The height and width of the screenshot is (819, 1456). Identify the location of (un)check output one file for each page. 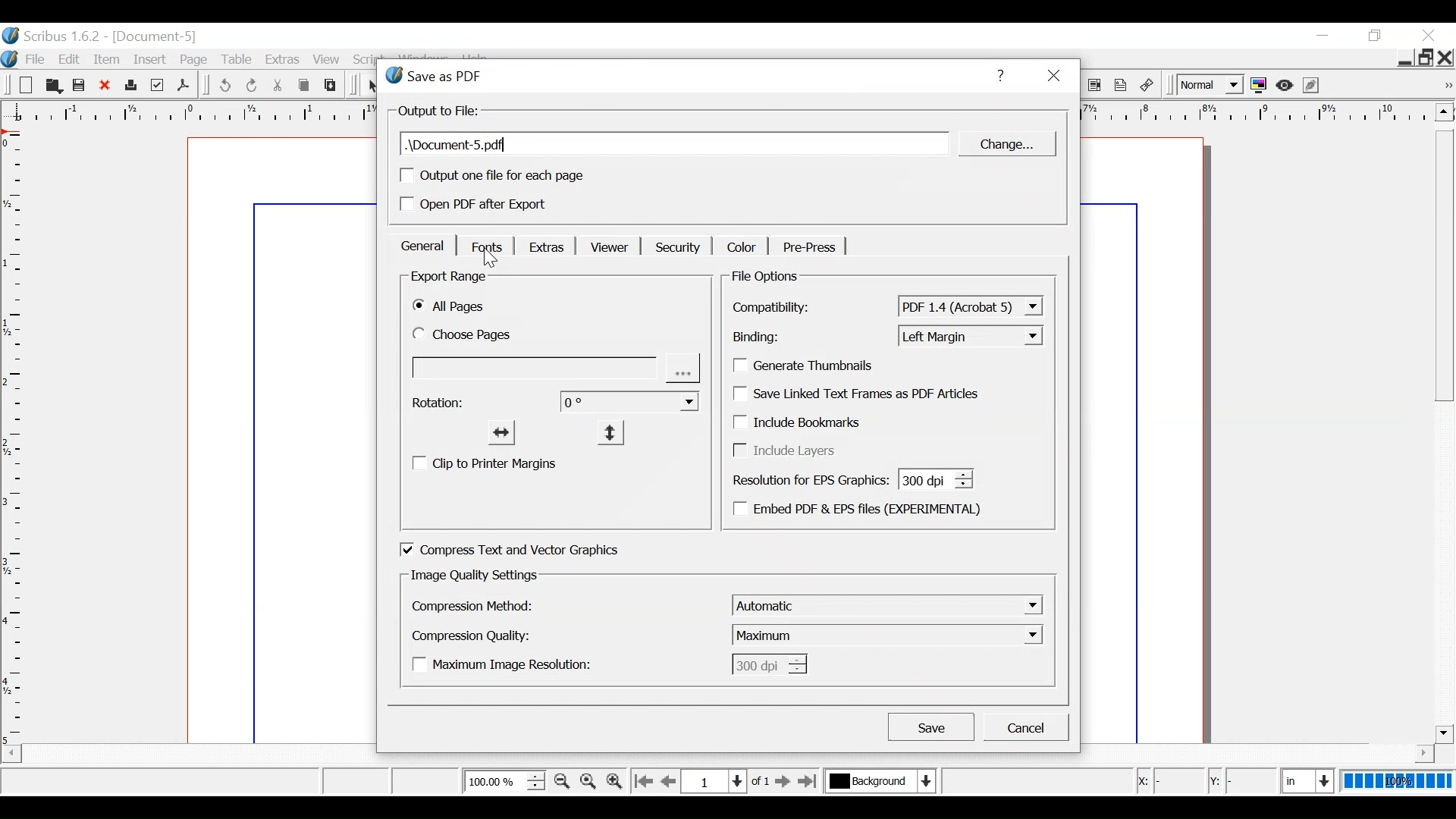
(492, 175).